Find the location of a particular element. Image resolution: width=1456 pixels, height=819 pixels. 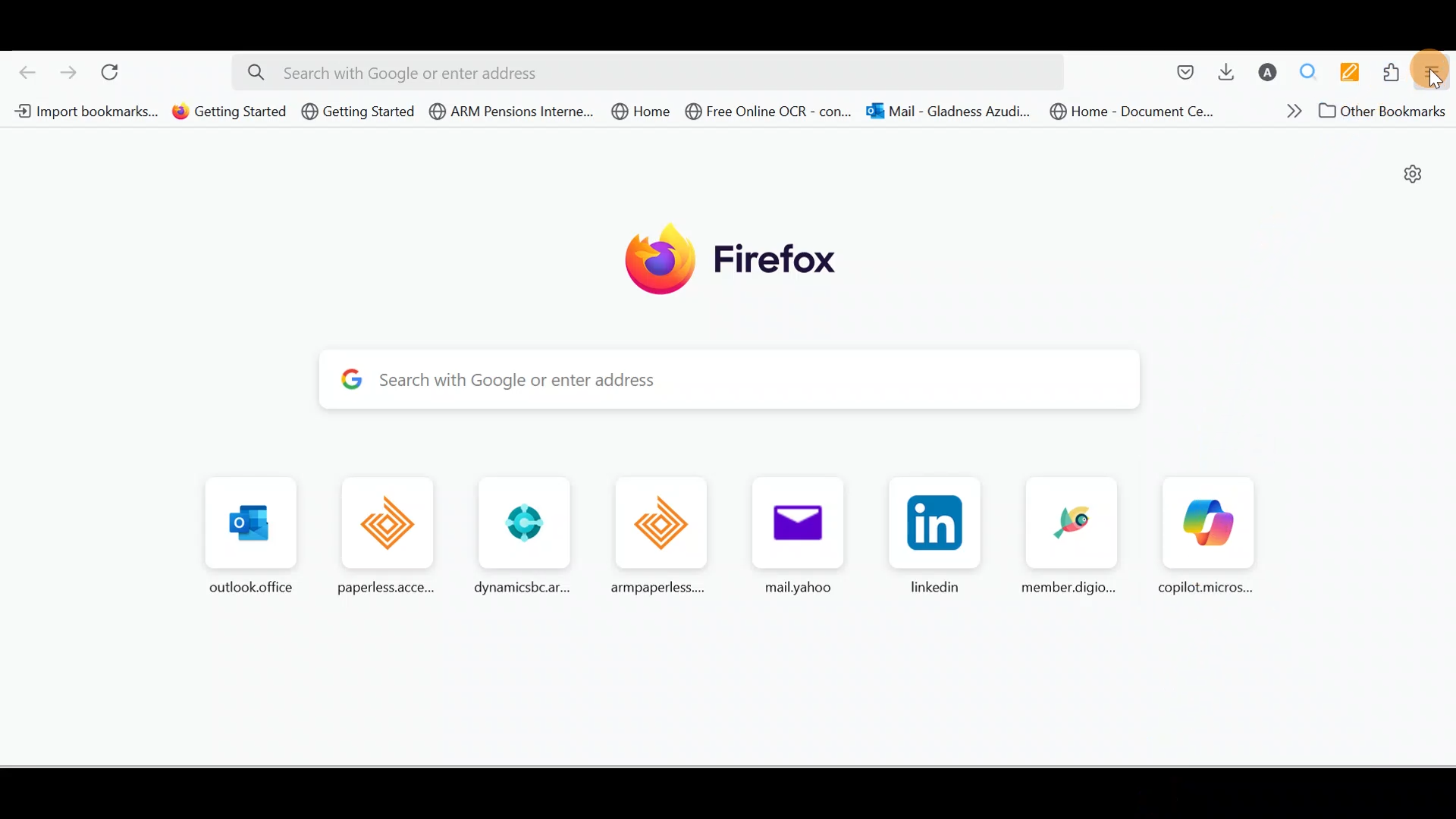

Getting Started is located at coordinates (359, 111).